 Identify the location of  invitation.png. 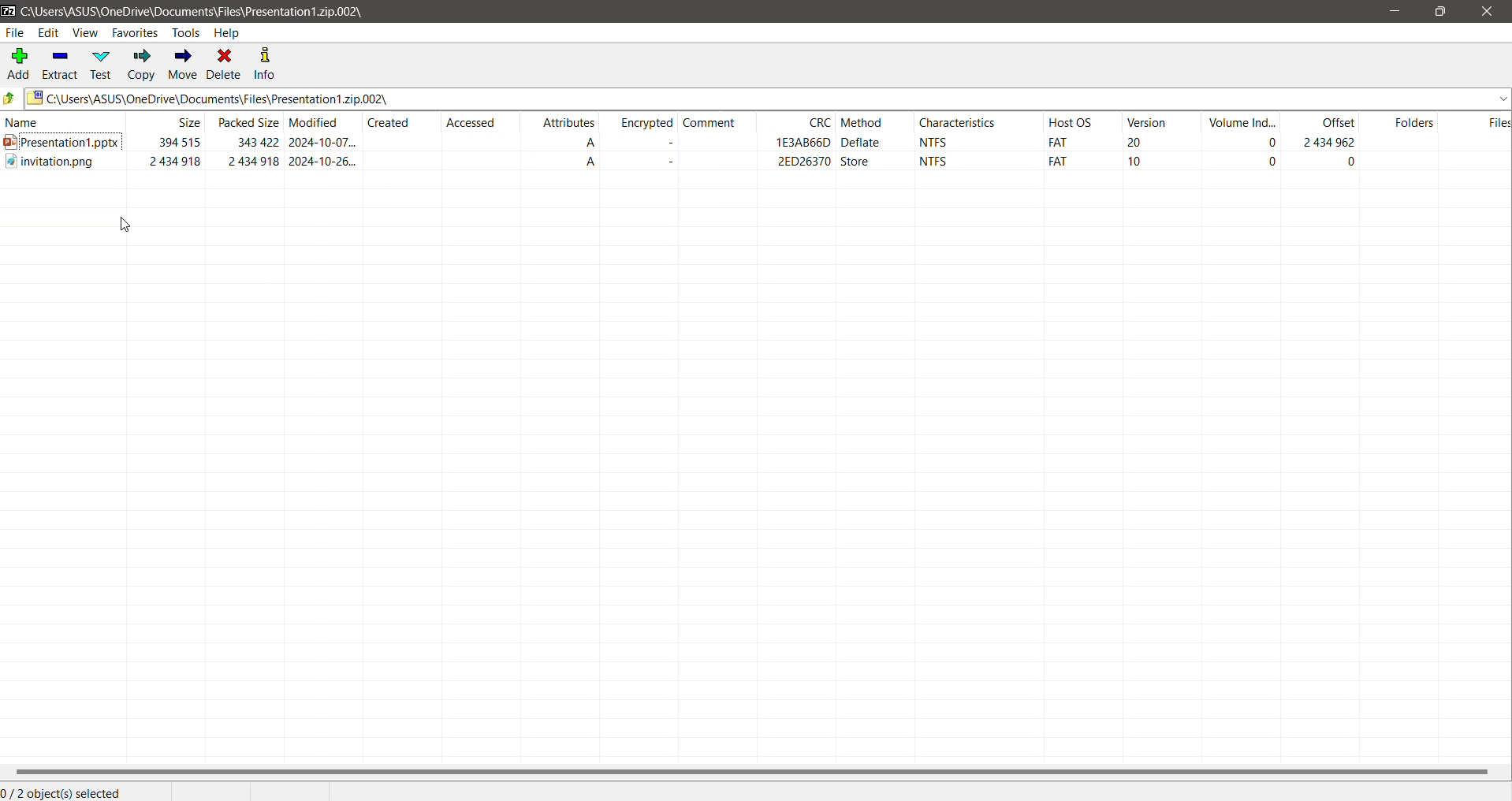
(55, 166).